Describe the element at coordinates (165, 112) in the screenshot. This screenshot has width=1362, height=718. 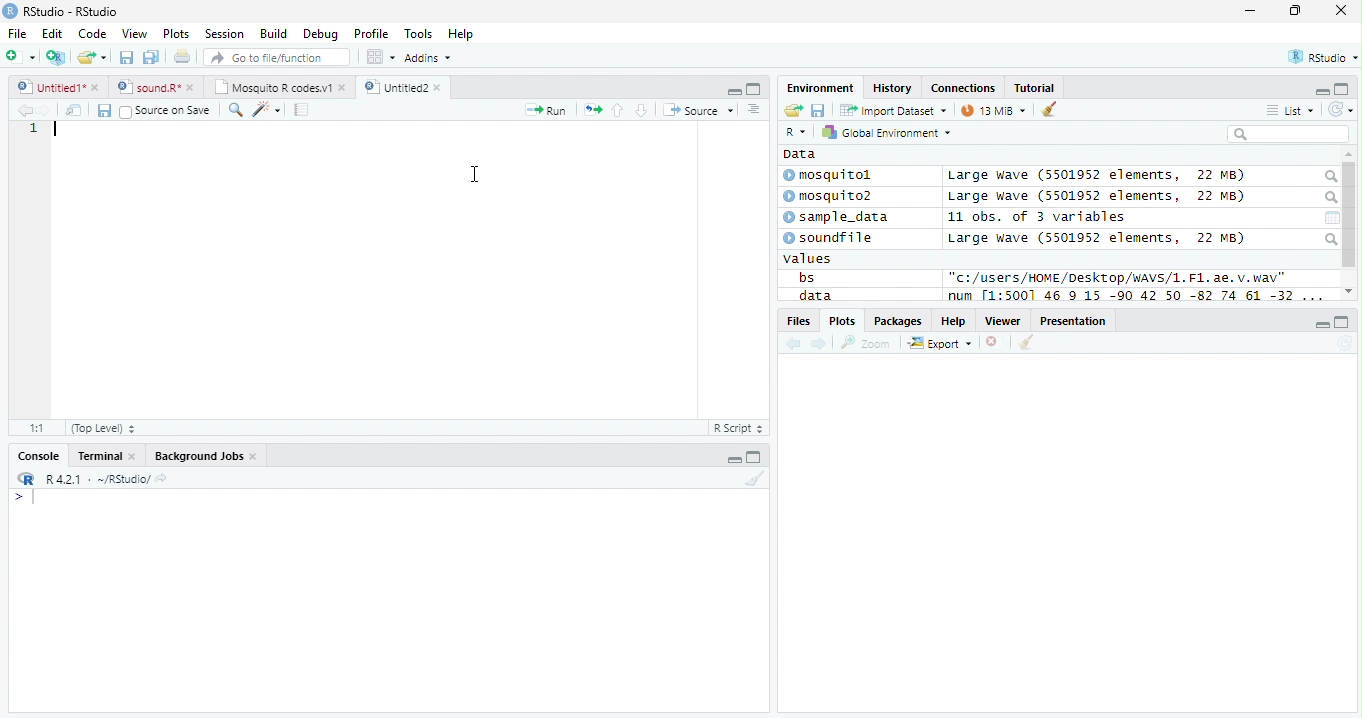
I see `Source on save` at that location.